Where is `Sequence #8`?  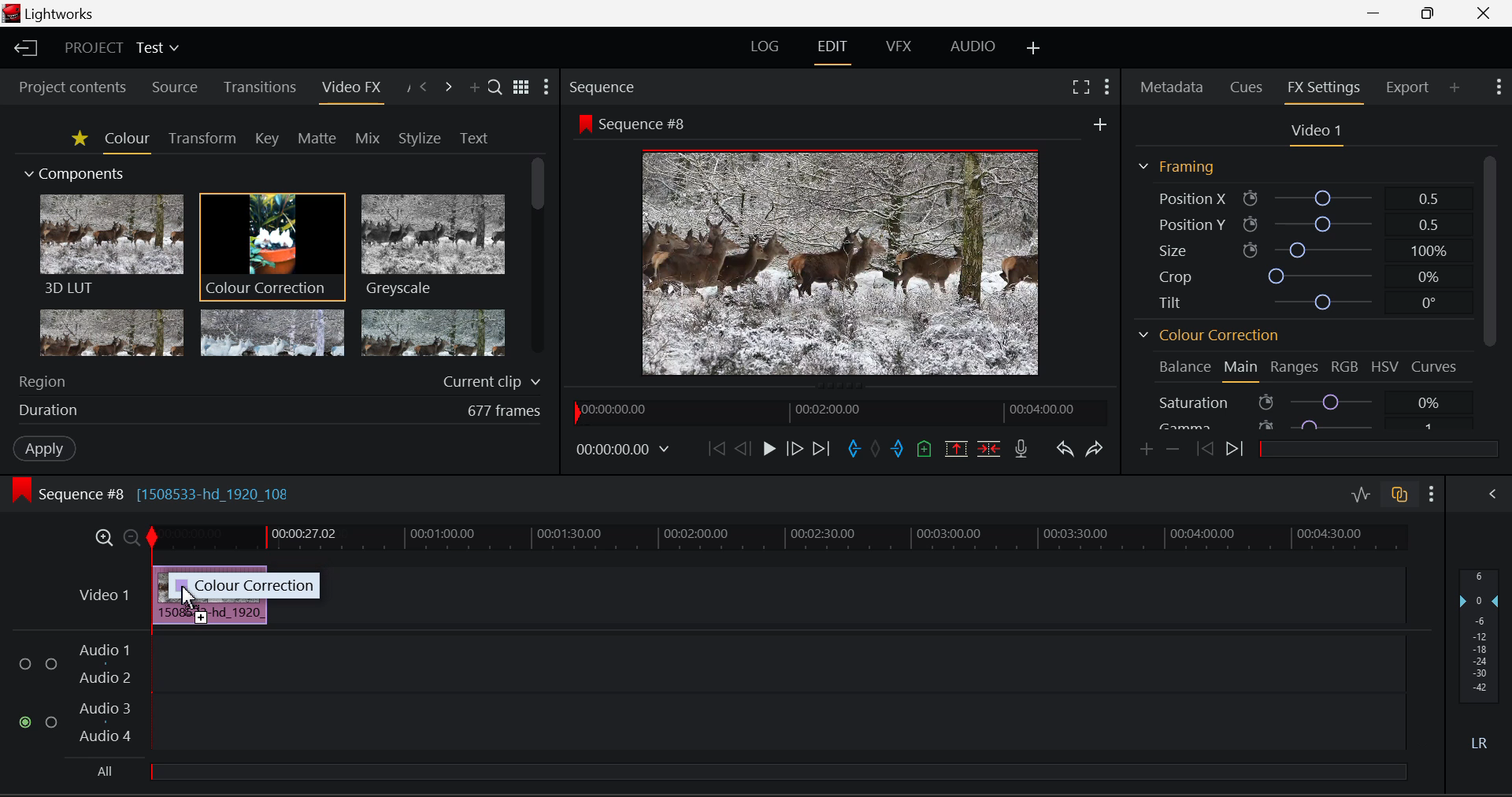
Sequence #8 is located at coordinates (841, 247).